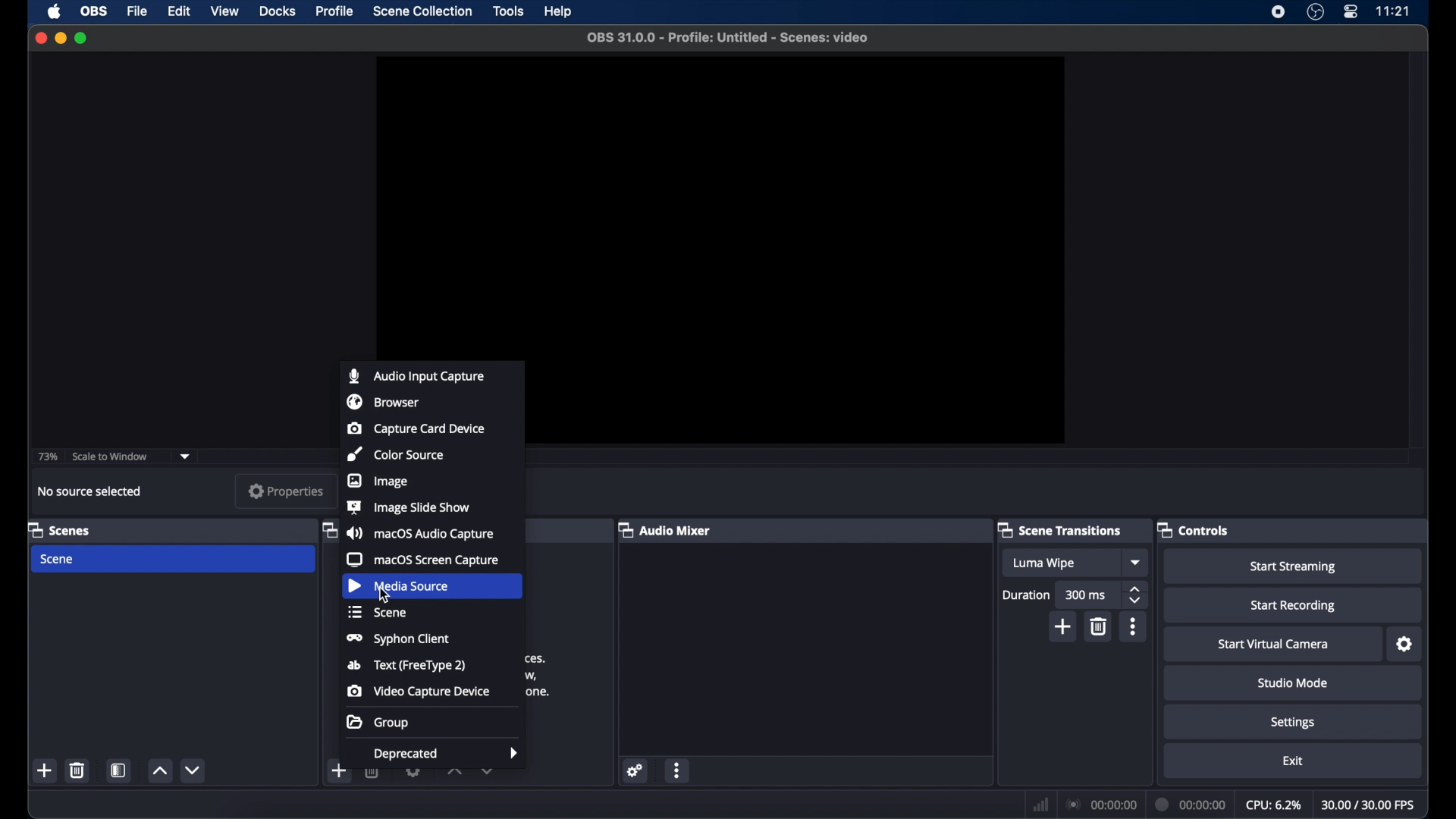 This screenshot has height=819, width=1456. Describe the element at coordinates (178, 12) in the screenshot. I see `edit` at that location.